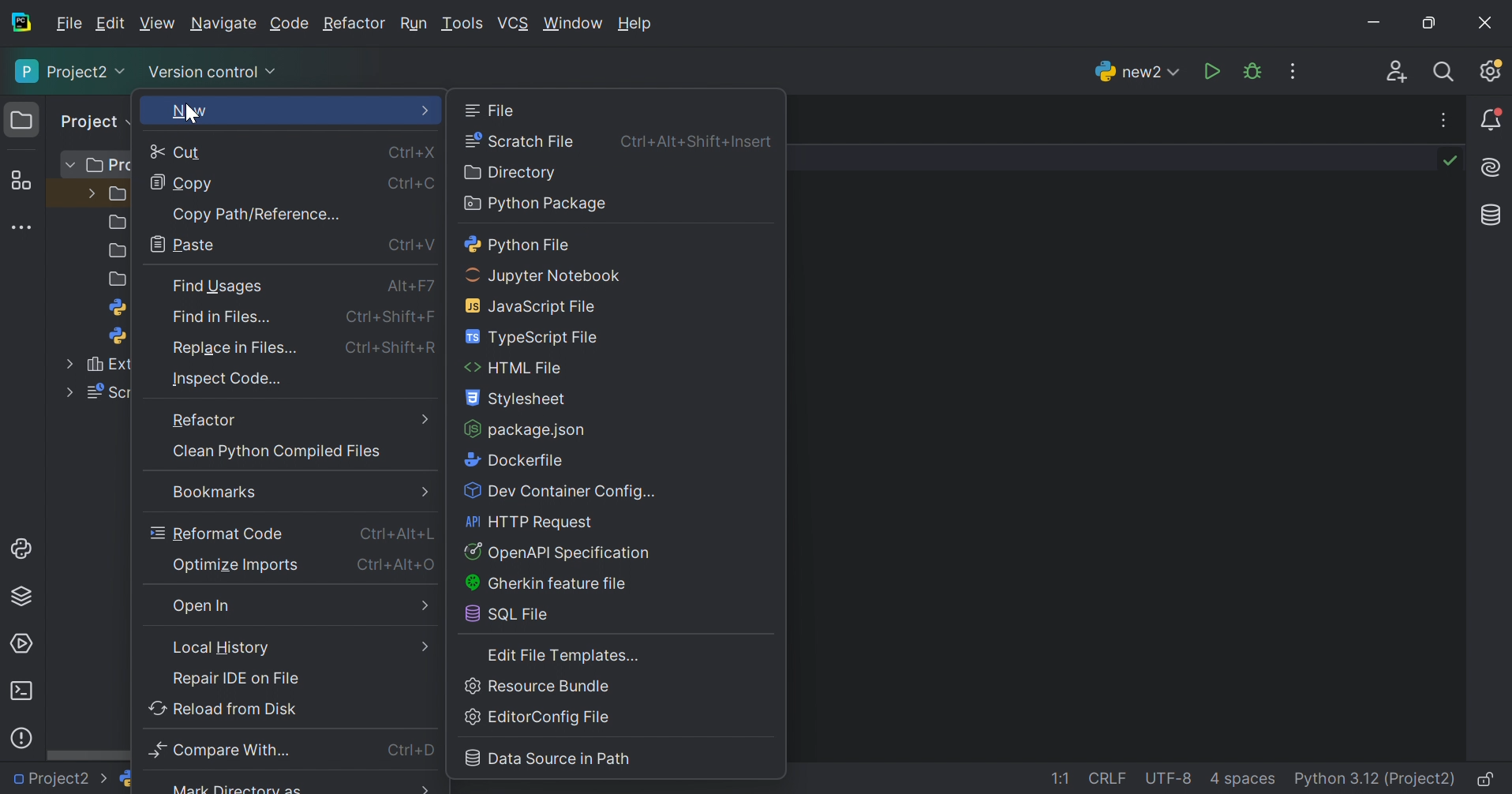 The image size is (1512, 794). I want to click on Dev container config, so click(563, 493).